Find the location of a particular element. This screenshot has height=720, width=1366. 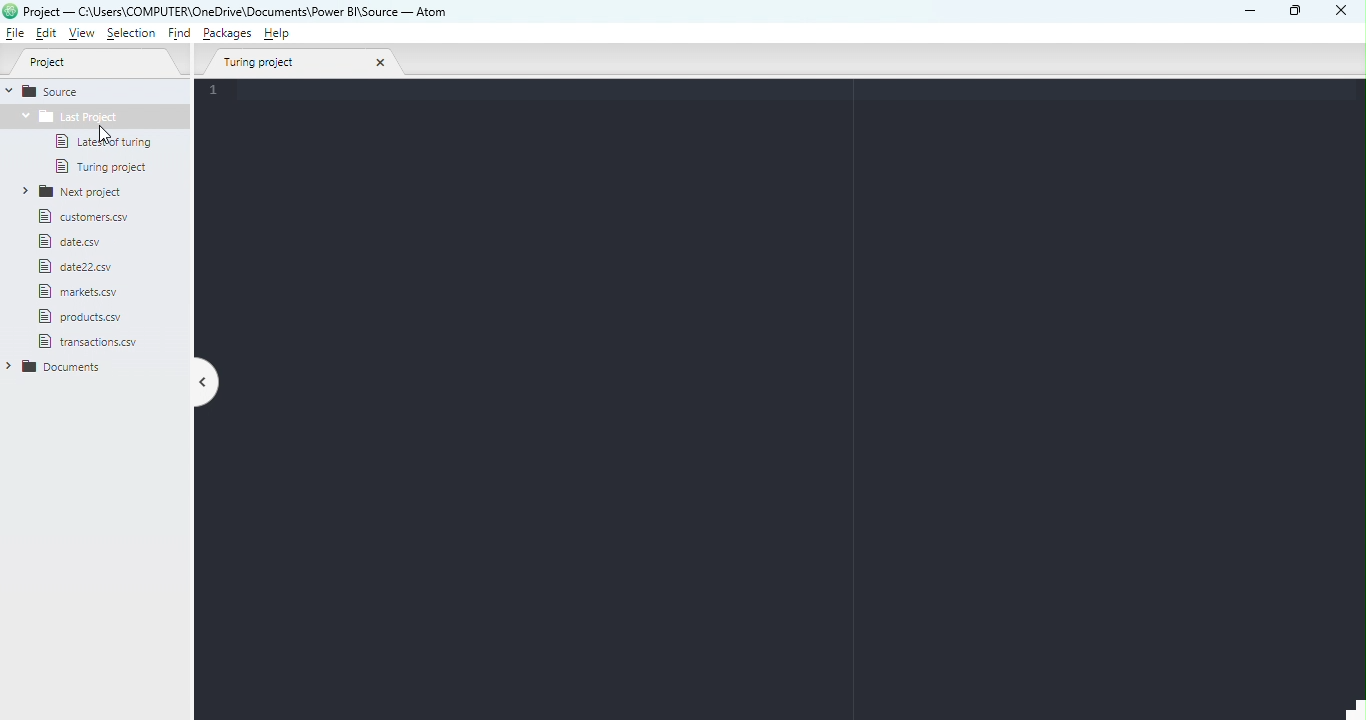

Toggle tree view is located at coordinates (208, 384).